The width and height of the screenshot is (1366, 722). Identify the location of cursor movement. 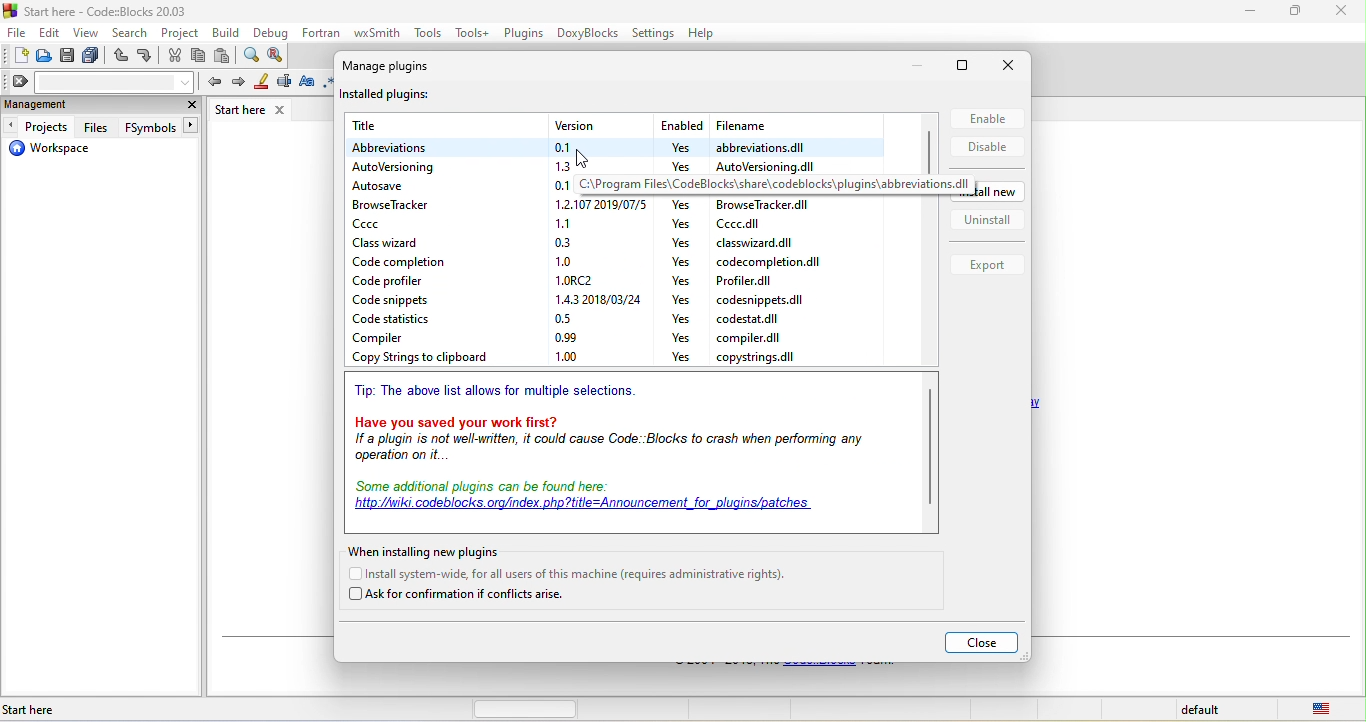
(584, 160).